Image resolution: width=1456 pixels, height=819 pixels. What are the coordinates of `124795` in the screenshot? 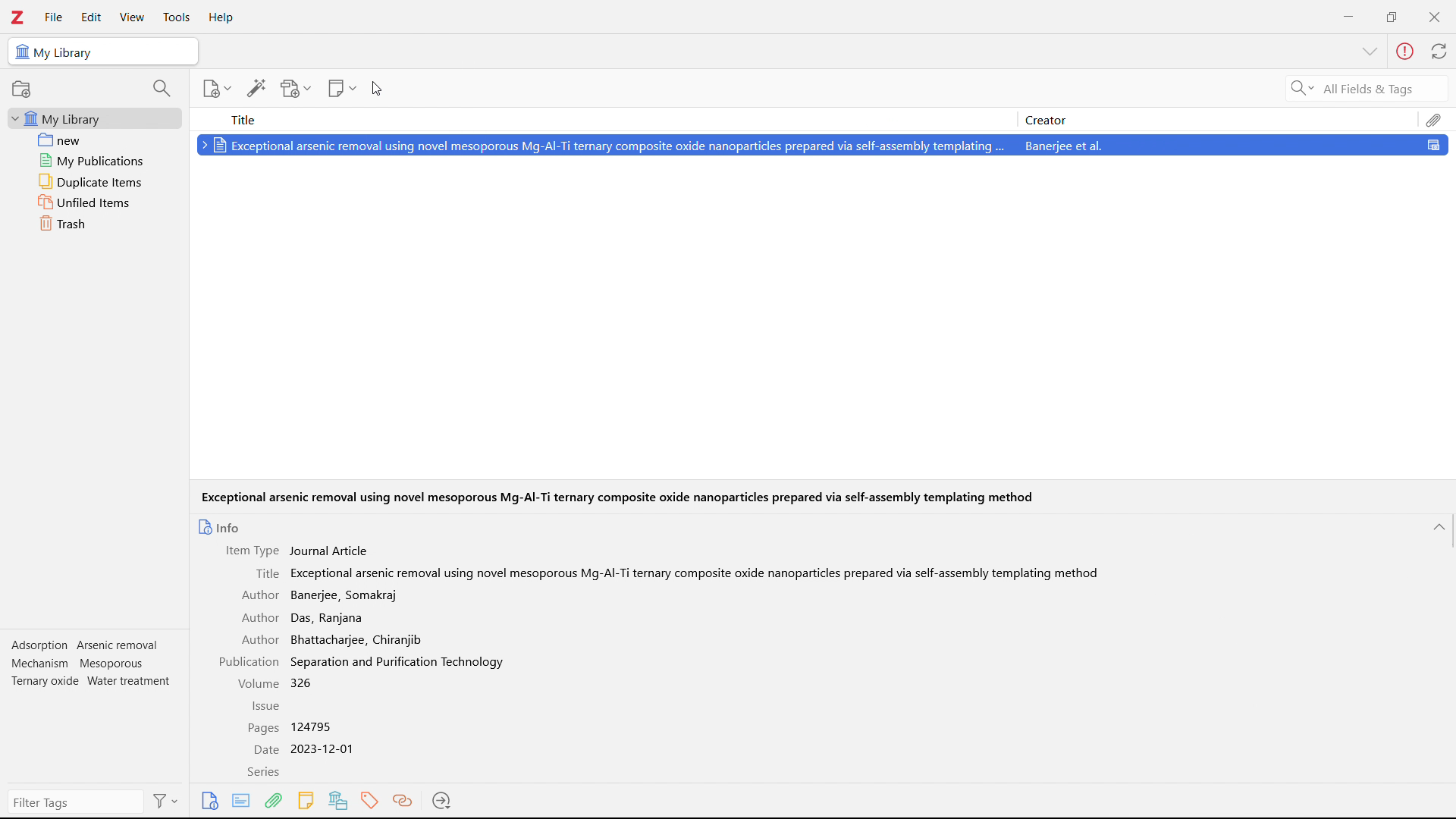 It's located at (312, 726).